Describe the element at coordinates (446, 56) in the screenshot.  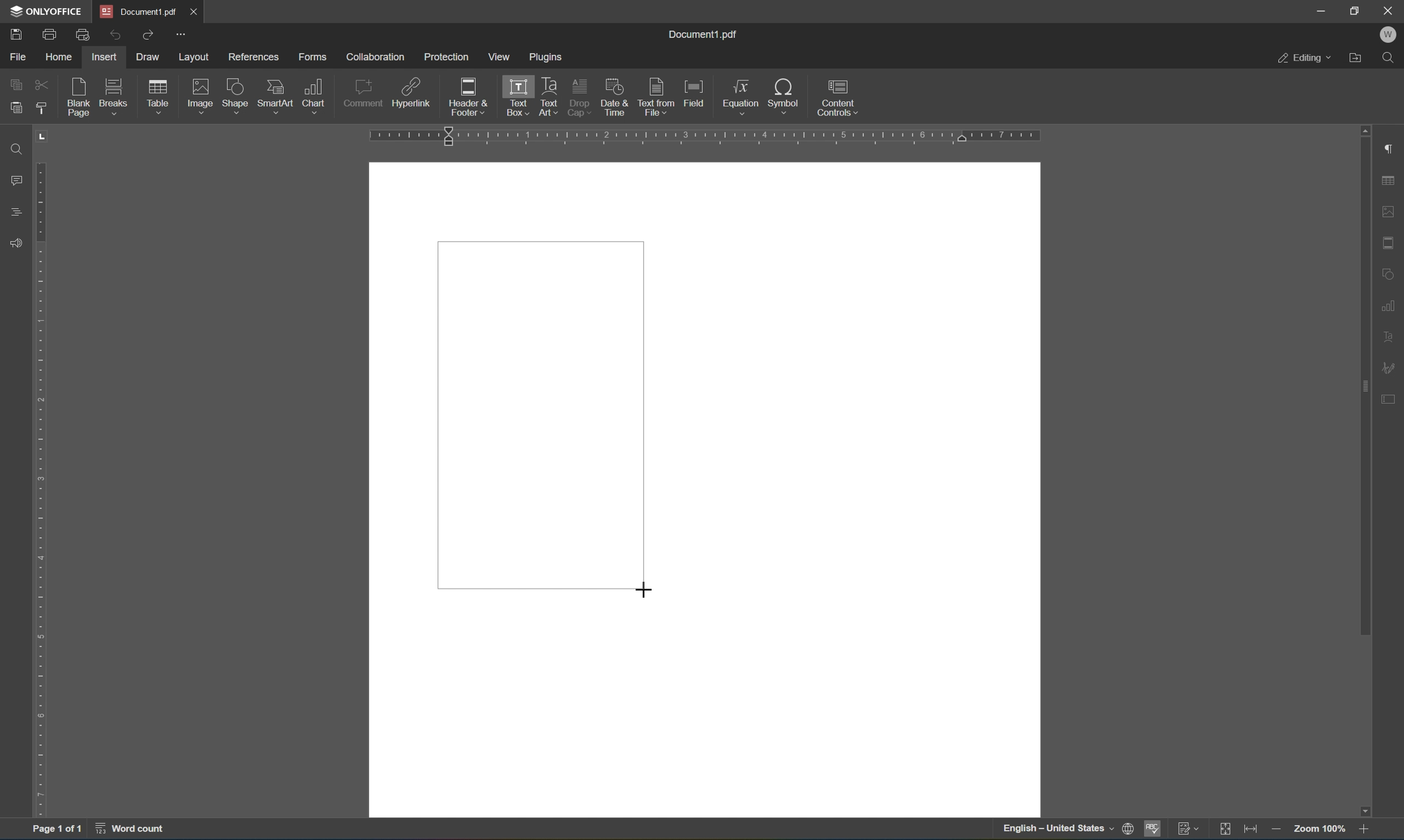
I see `protection` at that location.